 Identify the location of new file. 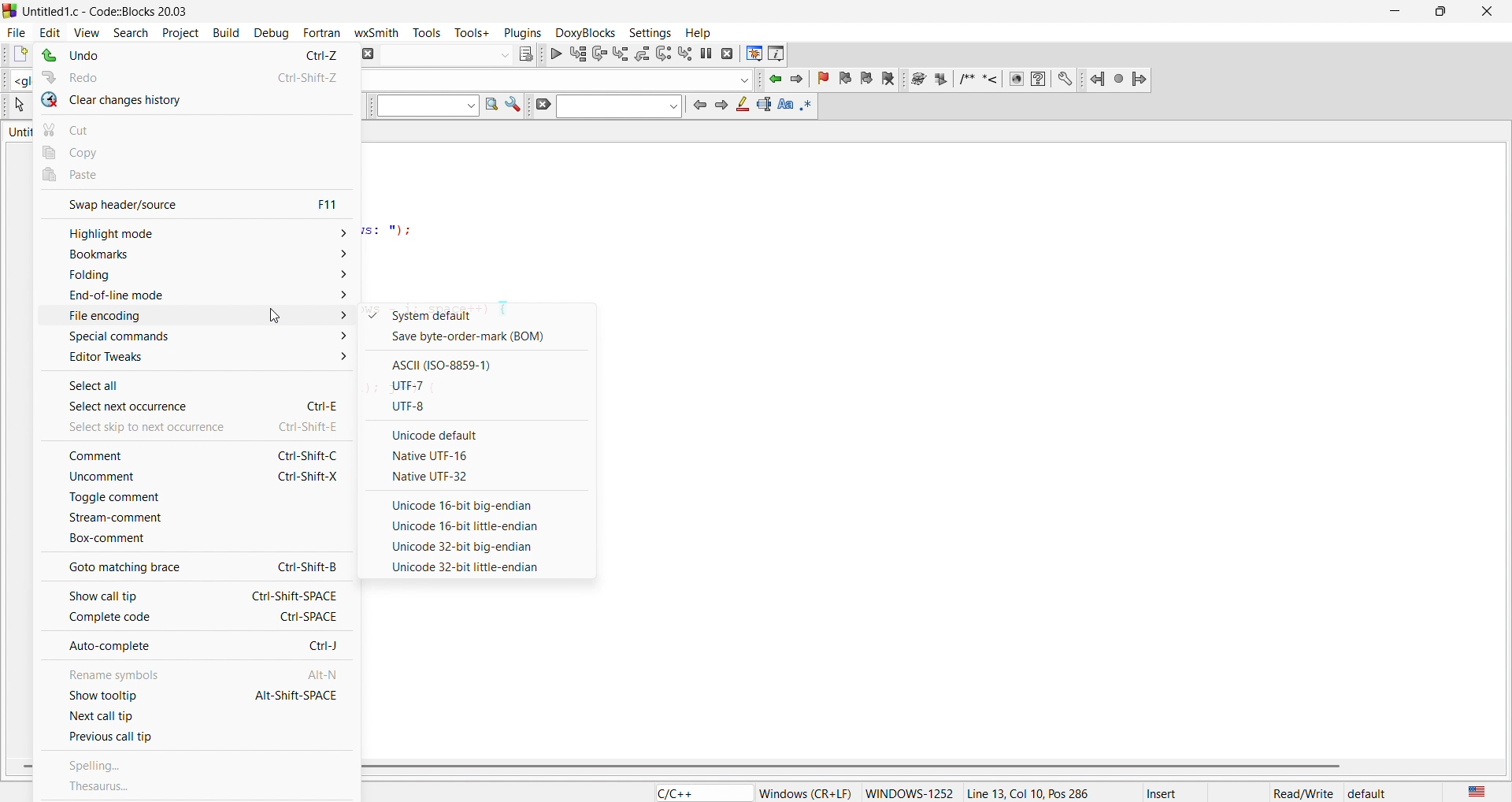
(17, 54).